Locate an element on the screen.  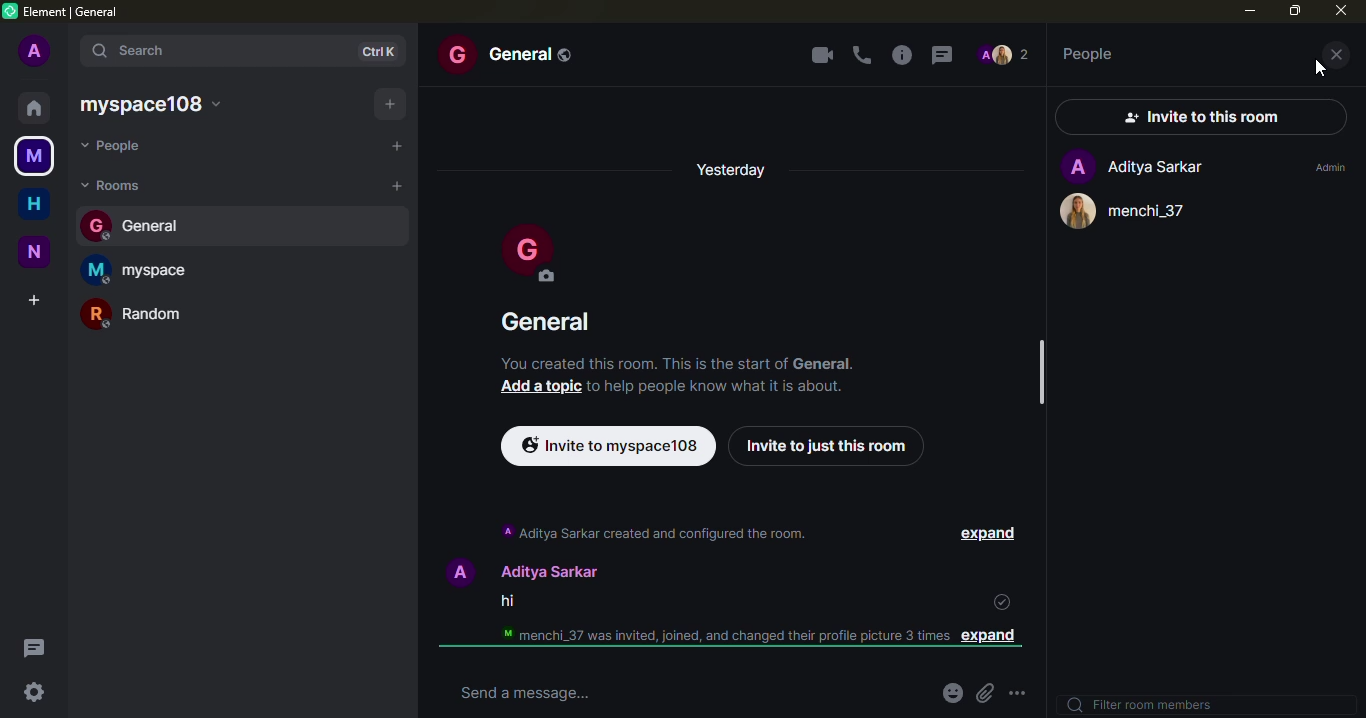
audio call is located at coordinates (860, 54).